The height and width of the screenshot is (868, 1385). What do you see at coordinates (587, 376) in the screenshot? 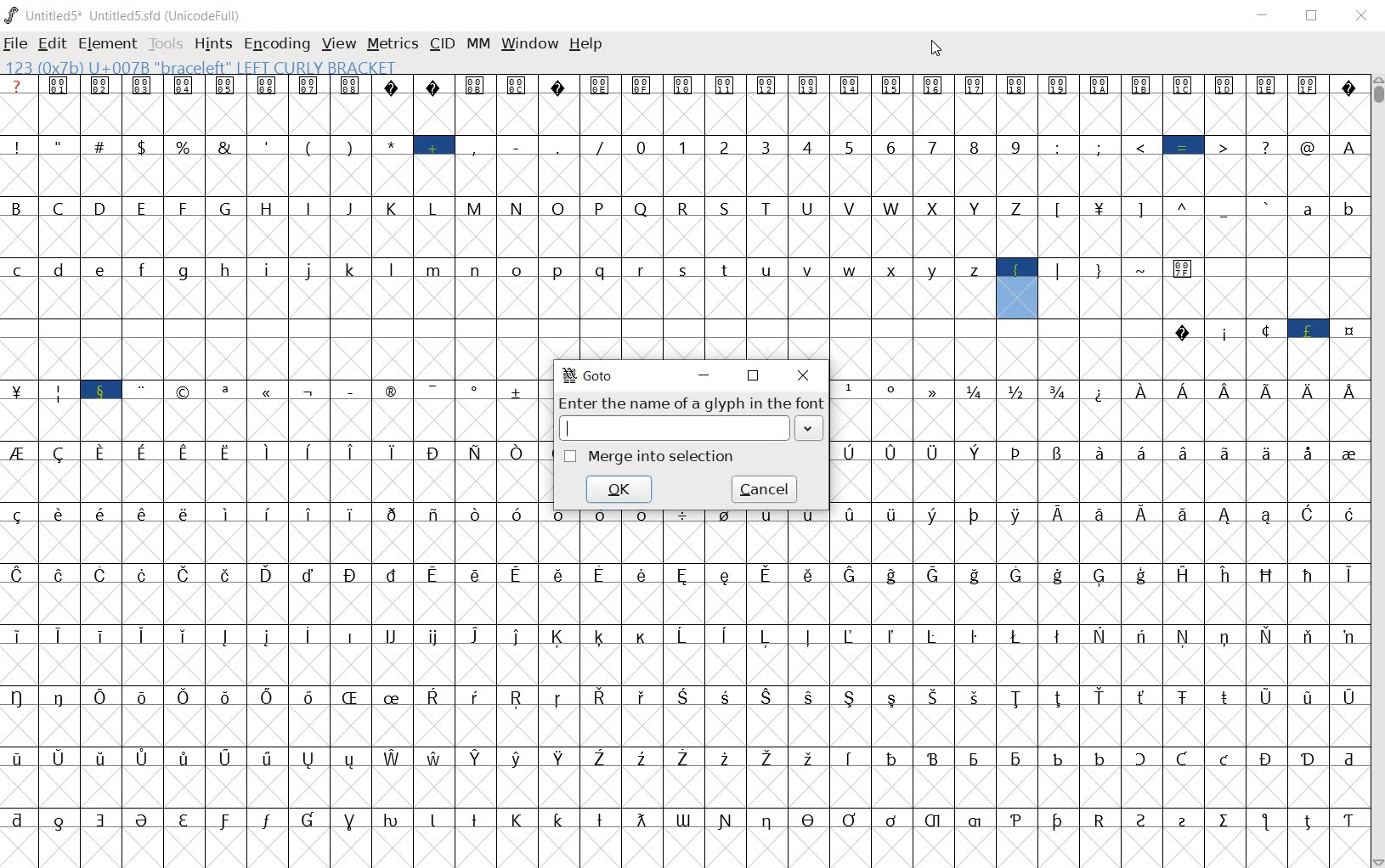
I see `GoTo` at bounding box center [587, 376].